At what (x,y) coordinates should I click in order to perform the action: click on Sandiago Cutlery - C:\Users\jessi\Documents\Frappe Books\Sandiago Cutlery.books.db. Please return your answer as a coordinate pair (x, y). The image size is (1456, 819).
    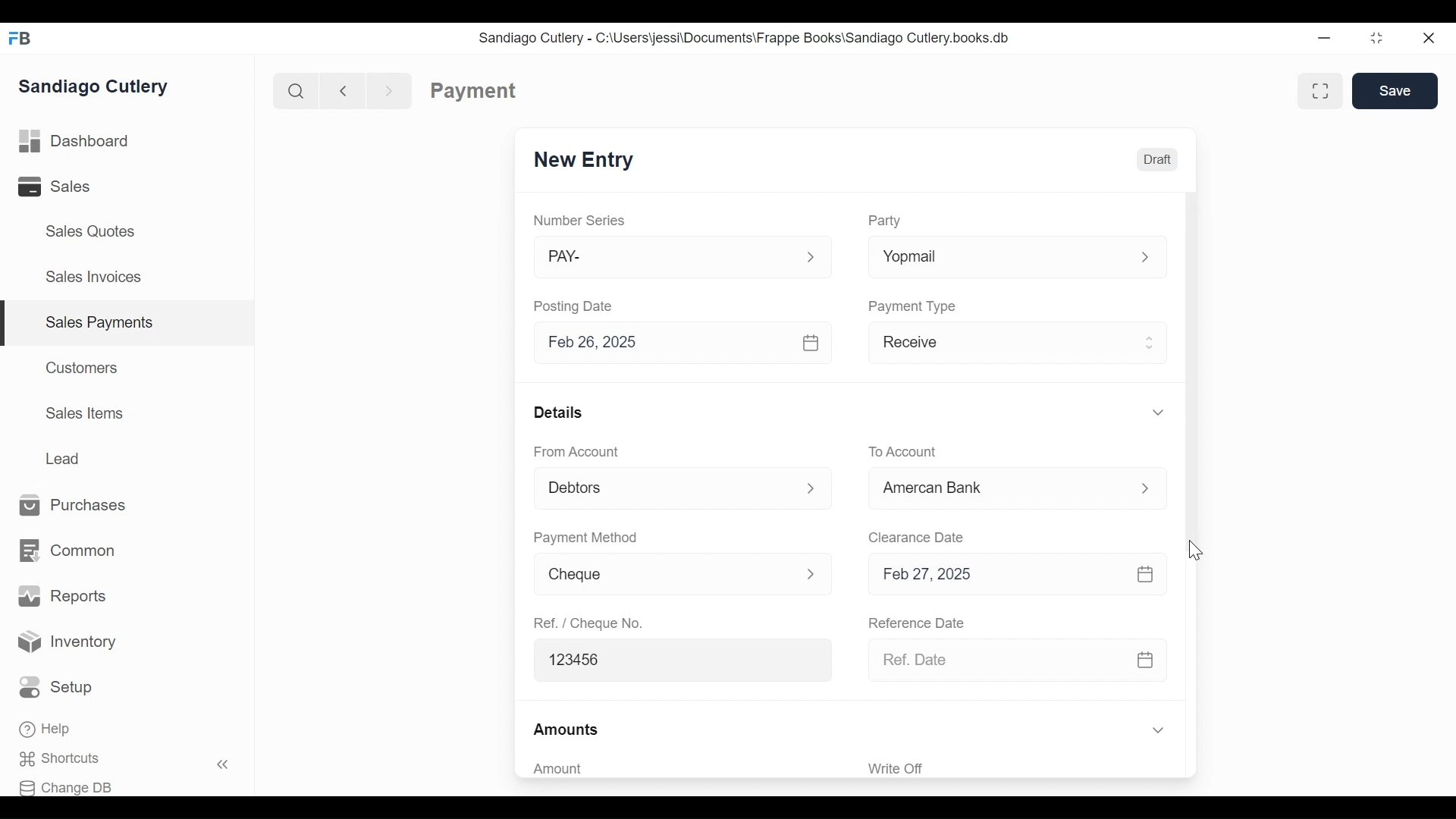
    Looking at the image, I should click on (744, 37).